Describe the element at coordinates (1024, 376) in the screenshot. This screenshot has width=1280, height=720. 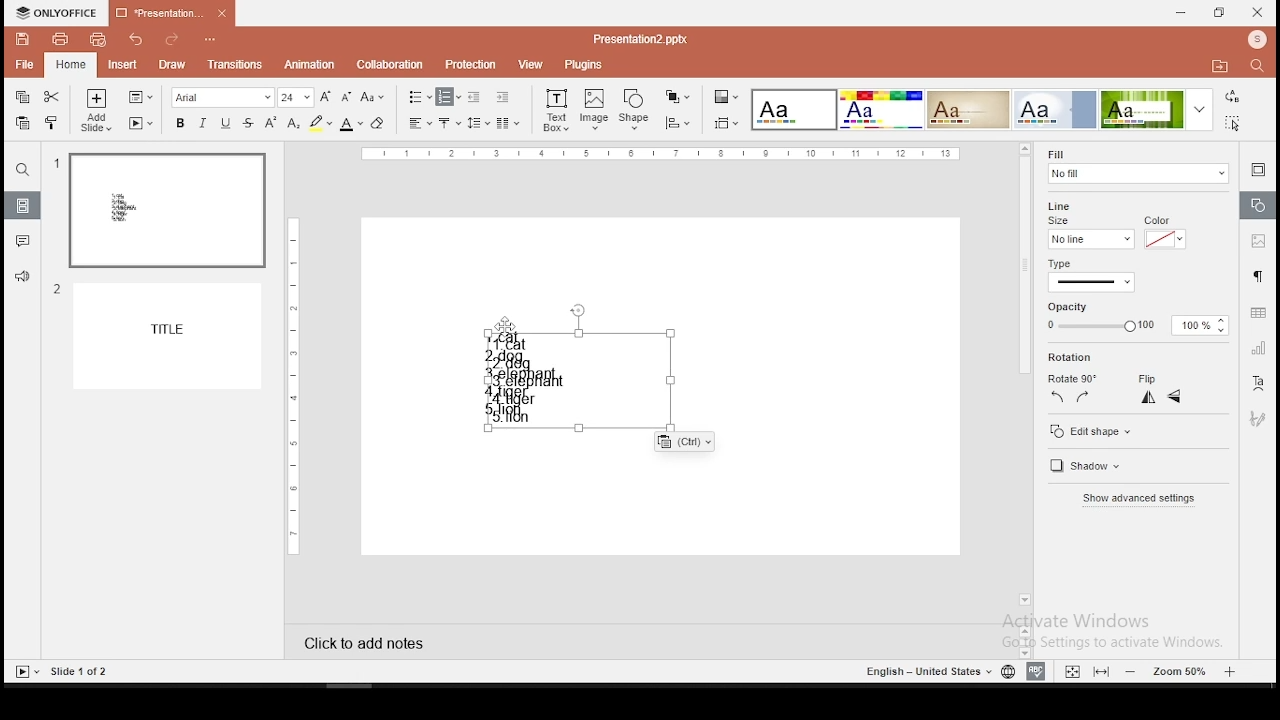
I see `scroll bar` at that location.